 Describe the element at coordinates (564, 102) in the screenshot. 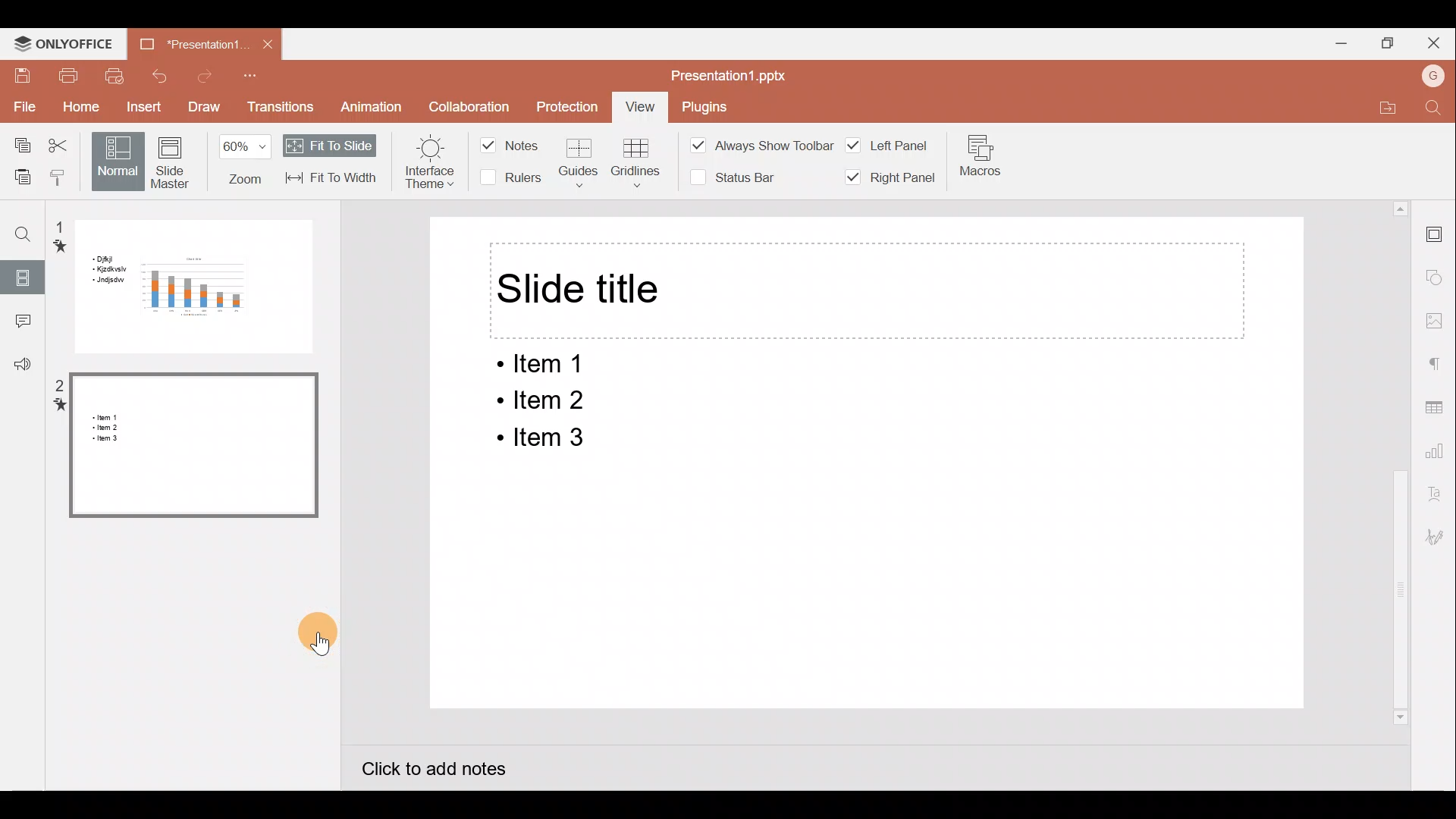

I see `Protection` at that location.